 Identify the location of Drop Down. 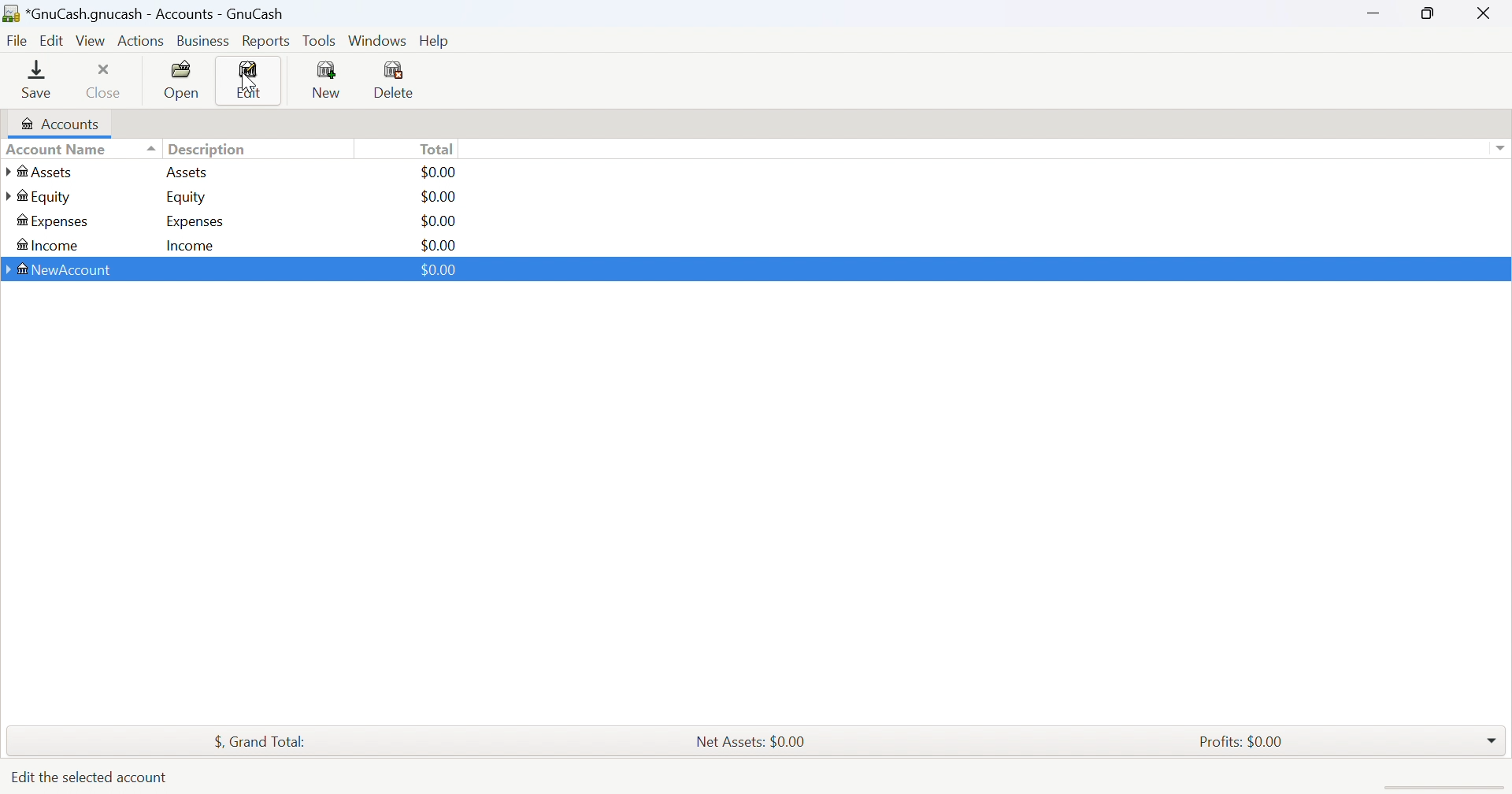
(1499, 148).